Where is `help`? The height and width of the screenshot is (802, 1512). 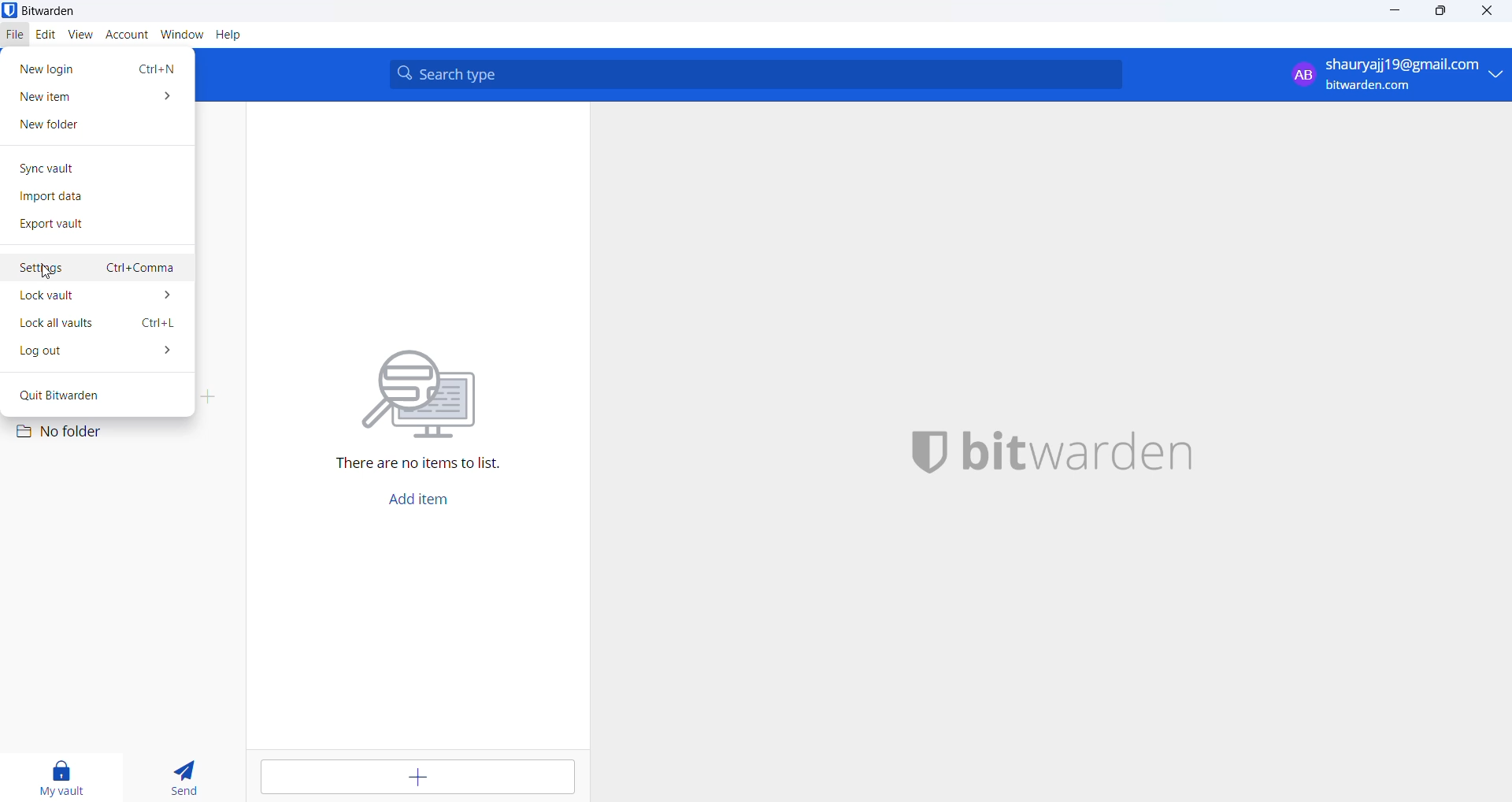 help is located at coordinates (235, 36).